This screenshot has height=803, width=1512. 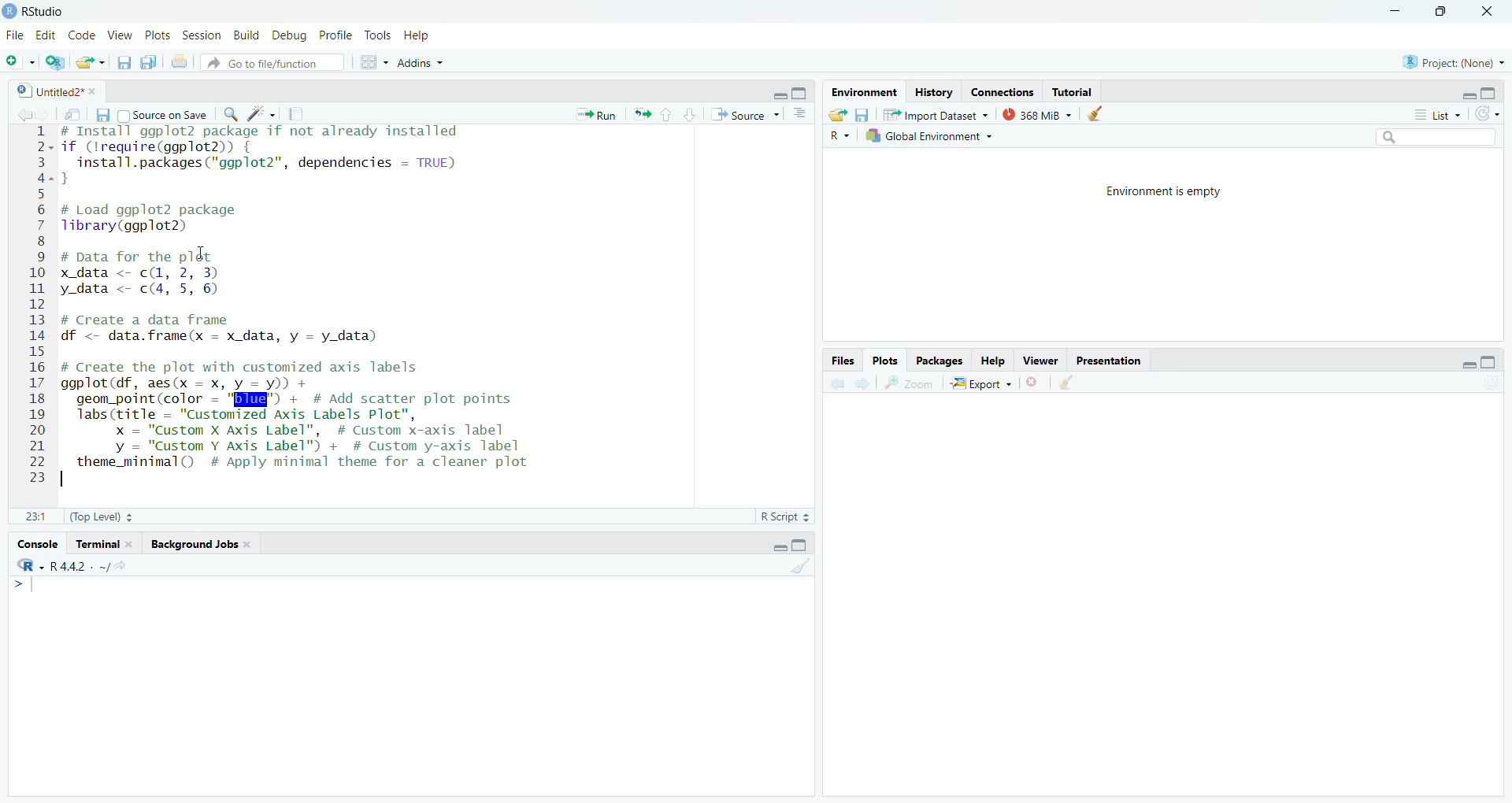 What do you see at coordinates (25, 115) in the screenshot?
I see `back` at bounding box center [25, 115].